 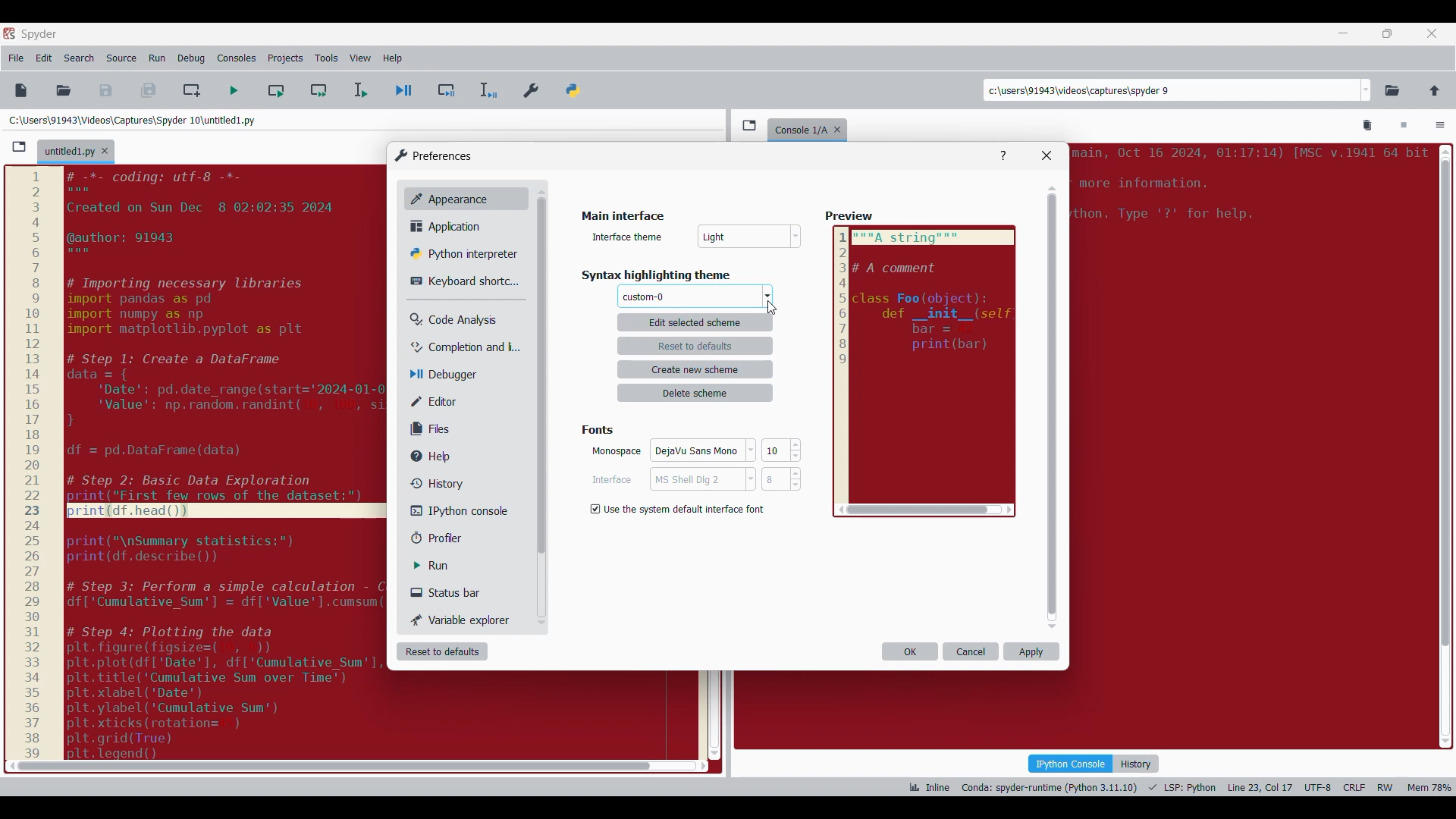 I want to click on Tools menu, so click(x=326, y=58).